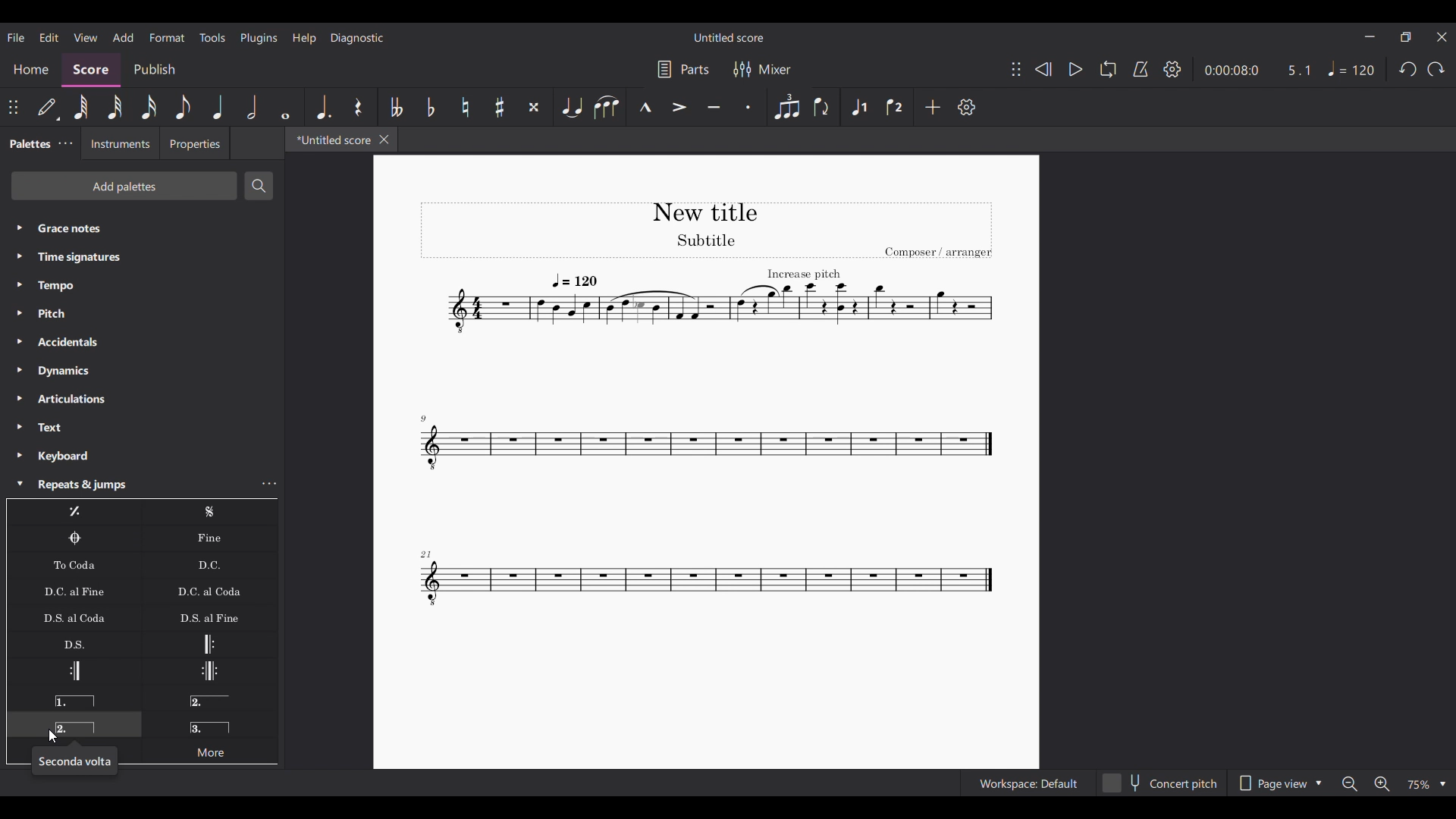  What do you see at coordinates (142, 456) in the screenshot?
I see `Keyboard` at bounding box center [142, 456].